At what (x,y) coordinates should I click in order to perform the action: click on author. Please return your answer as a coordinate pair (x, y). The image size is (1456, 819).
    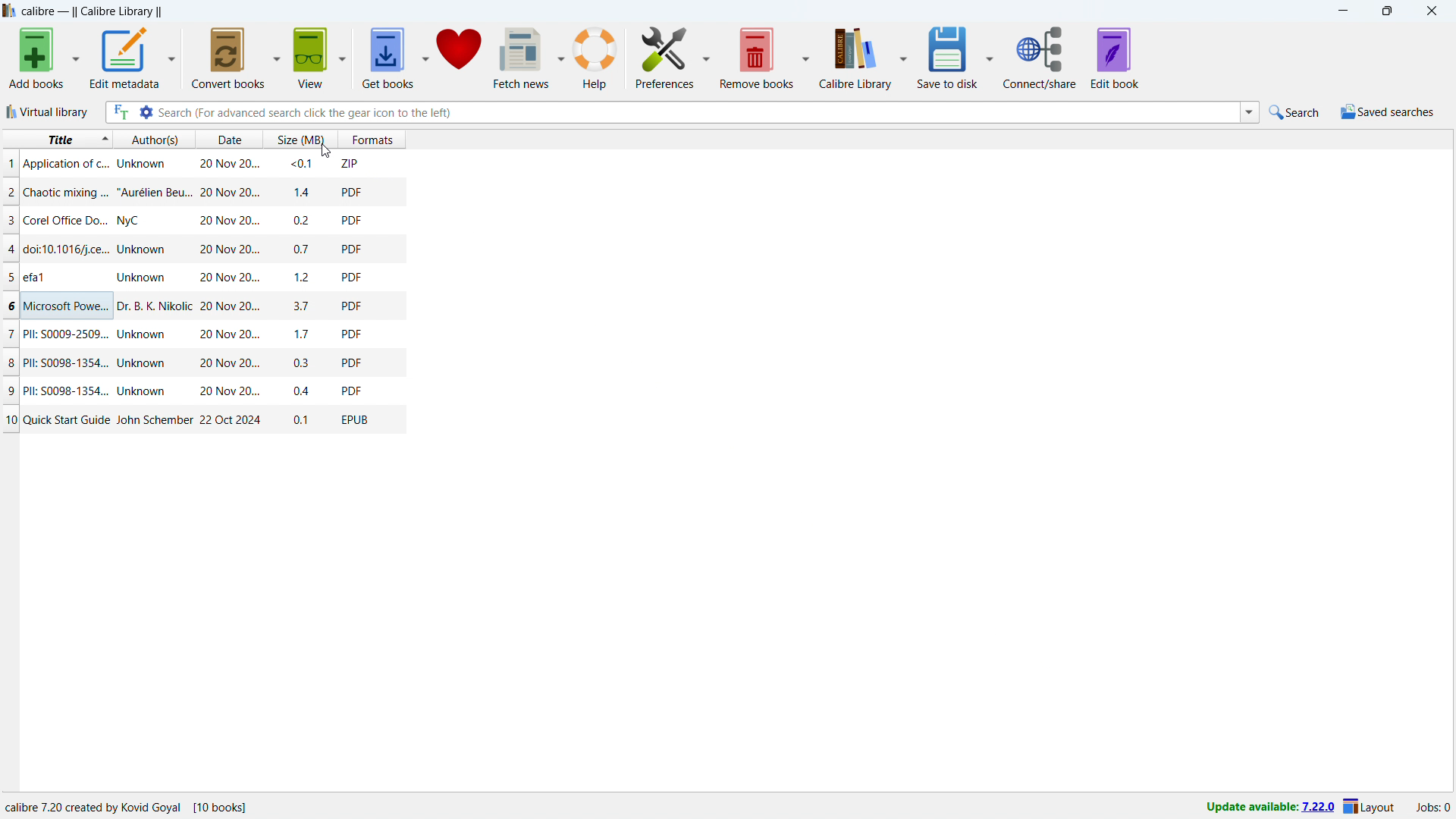
    Looking at the image, I should click on (154, 306).